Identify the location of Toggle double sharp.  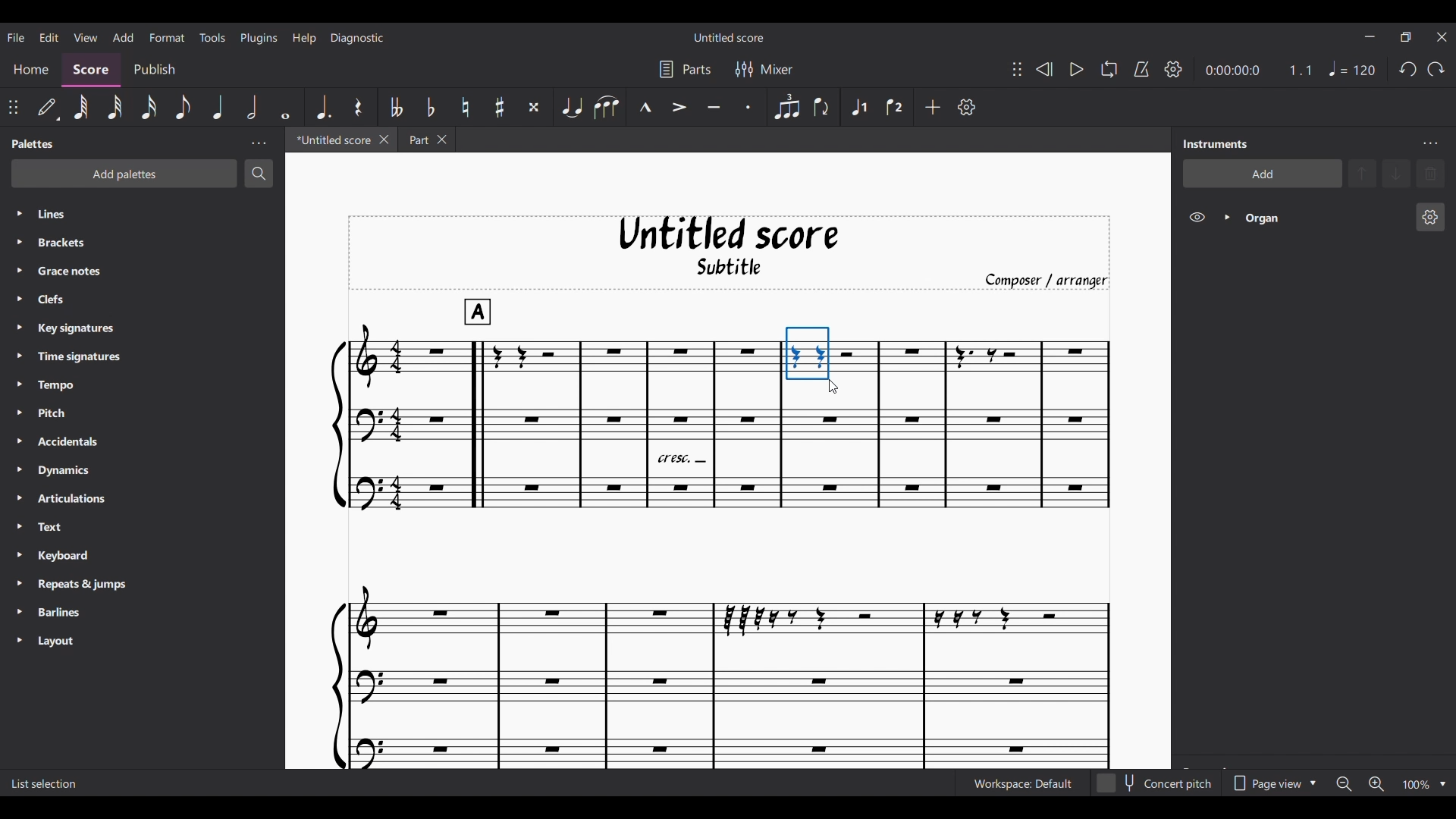
(535, 106).